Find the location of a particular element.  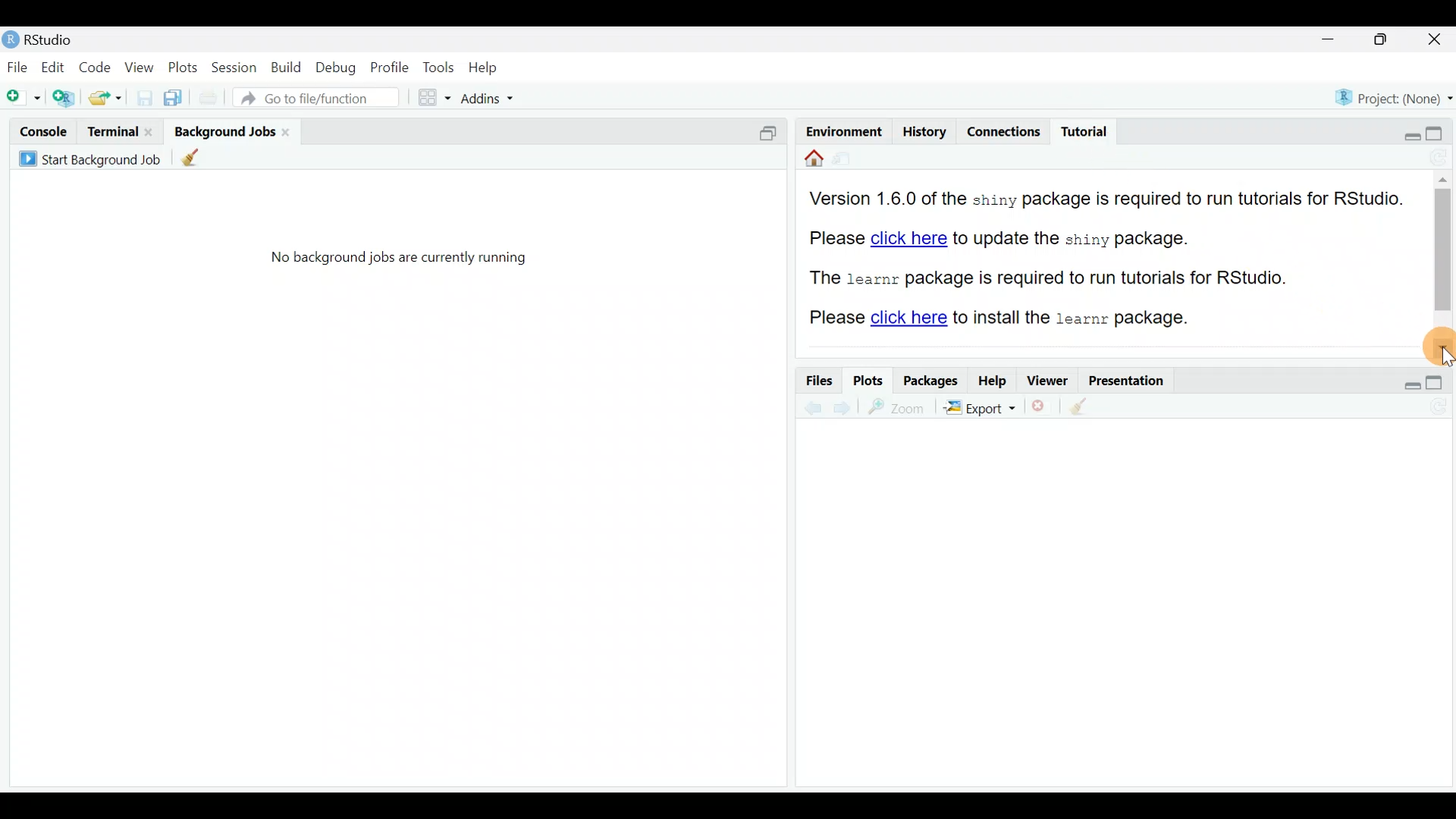

Next plot is located at coordinates (842, 407).